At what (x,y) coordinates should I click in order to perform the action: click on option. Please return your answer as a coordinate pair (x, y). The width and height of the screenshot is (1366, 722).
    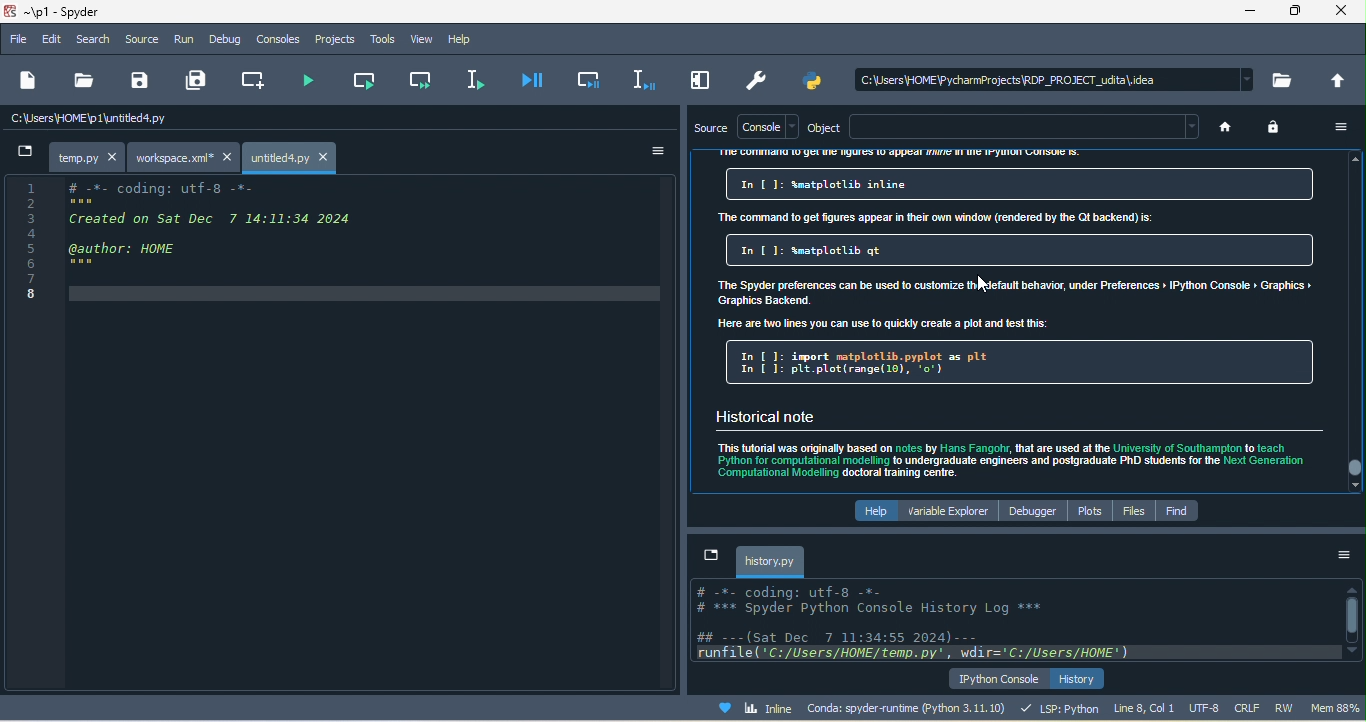
    Looking at the image, I should click on (1342, 127).